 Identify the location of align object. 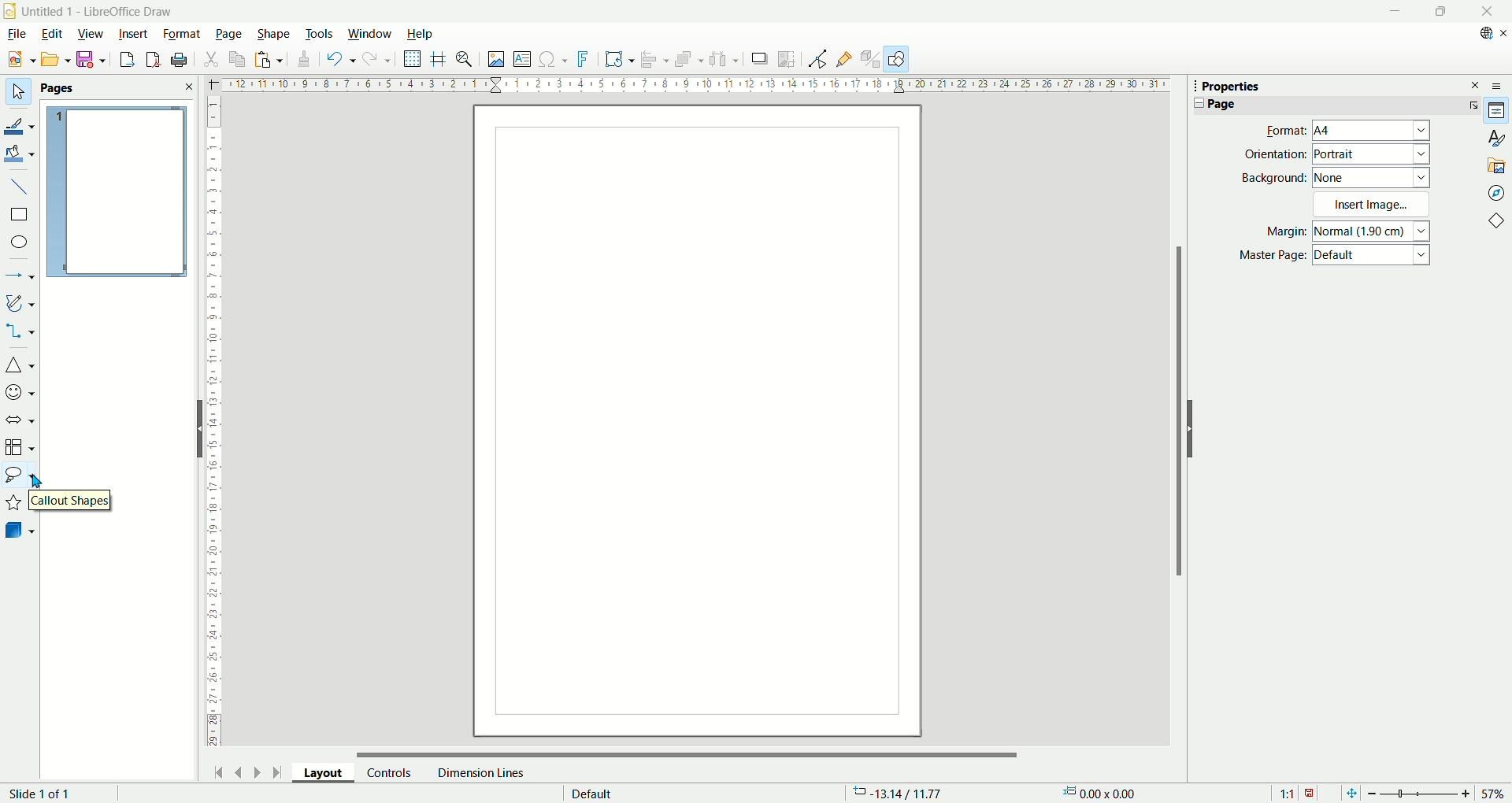
(658, 60).